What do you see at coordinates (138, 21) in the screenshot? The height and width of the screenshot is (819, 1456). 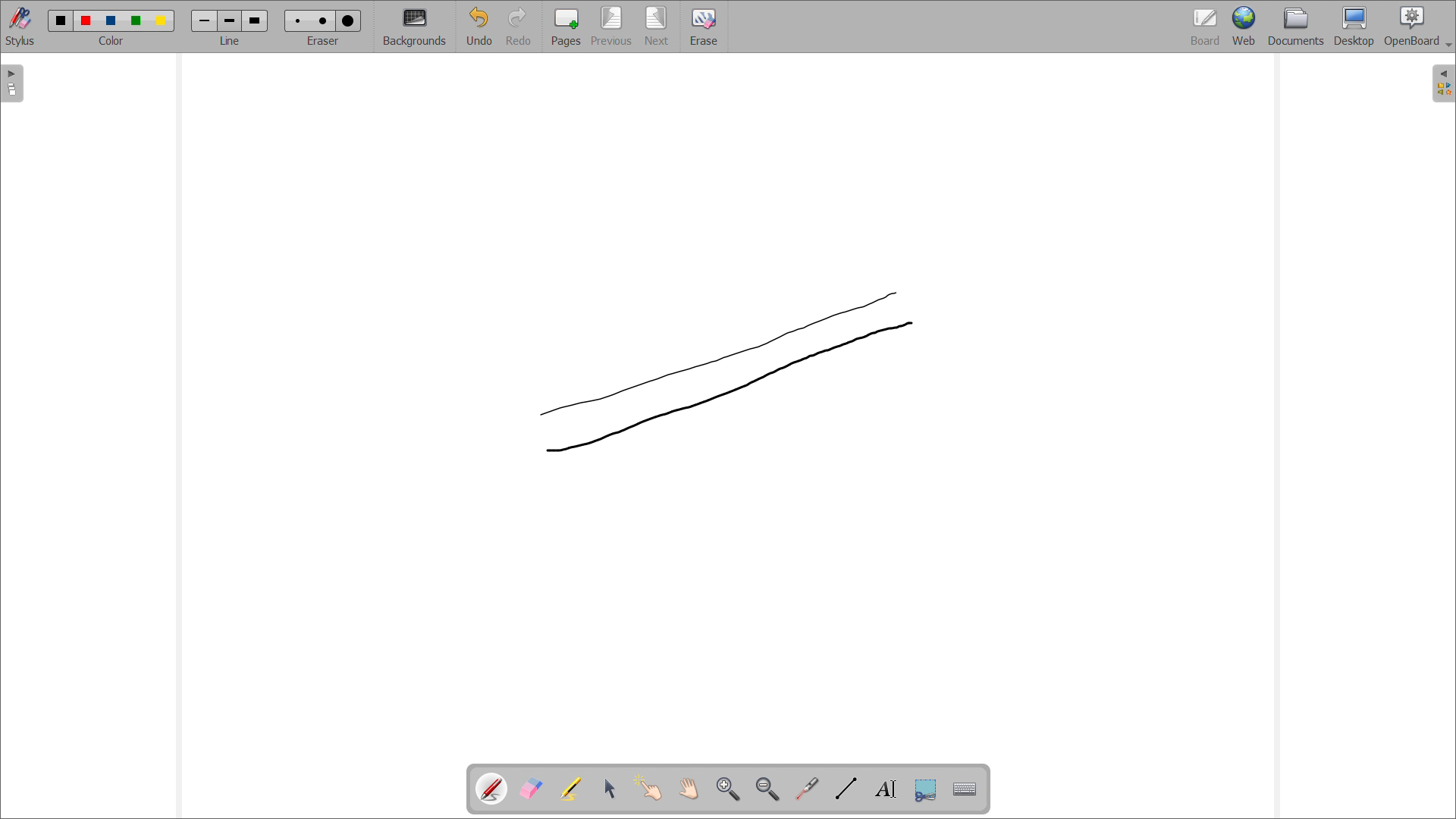 I see `color` at bounding box center [138, 21].